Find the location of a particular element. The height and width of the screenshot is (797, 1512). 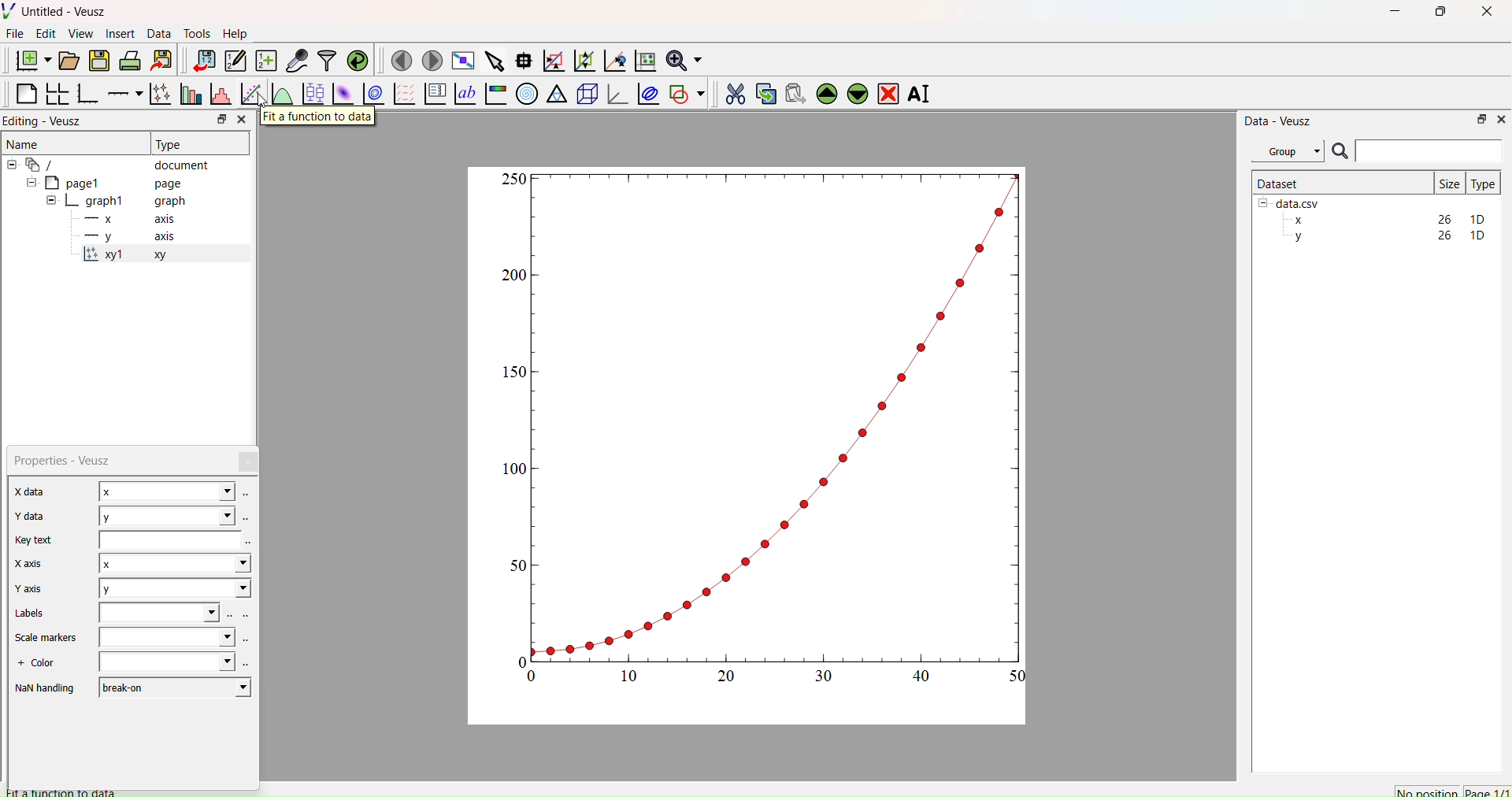

Insert is located at coordinates (123, 33).